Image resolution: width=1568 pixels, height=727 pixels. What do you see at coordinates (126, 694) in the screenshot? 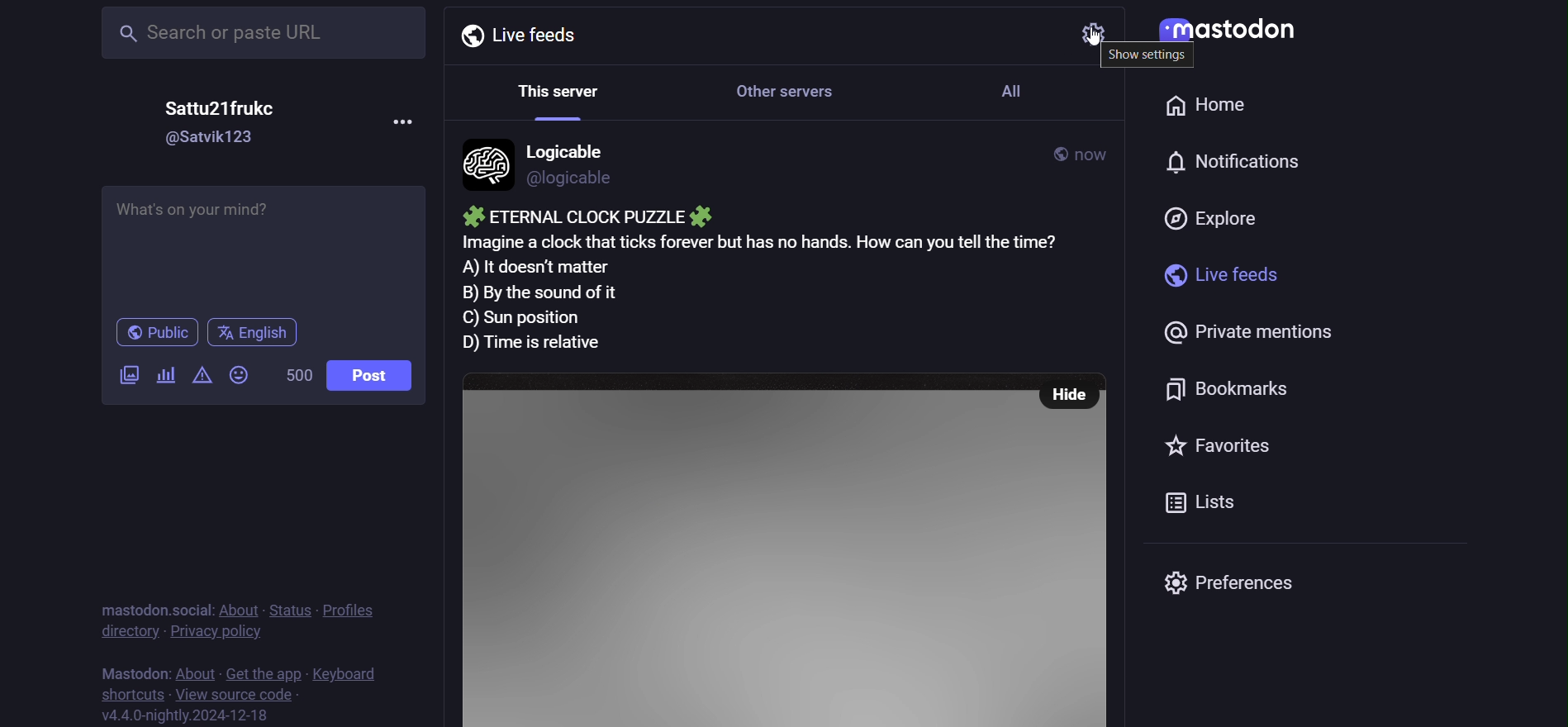
I see `shortcut` at bounding box center [126, 694].